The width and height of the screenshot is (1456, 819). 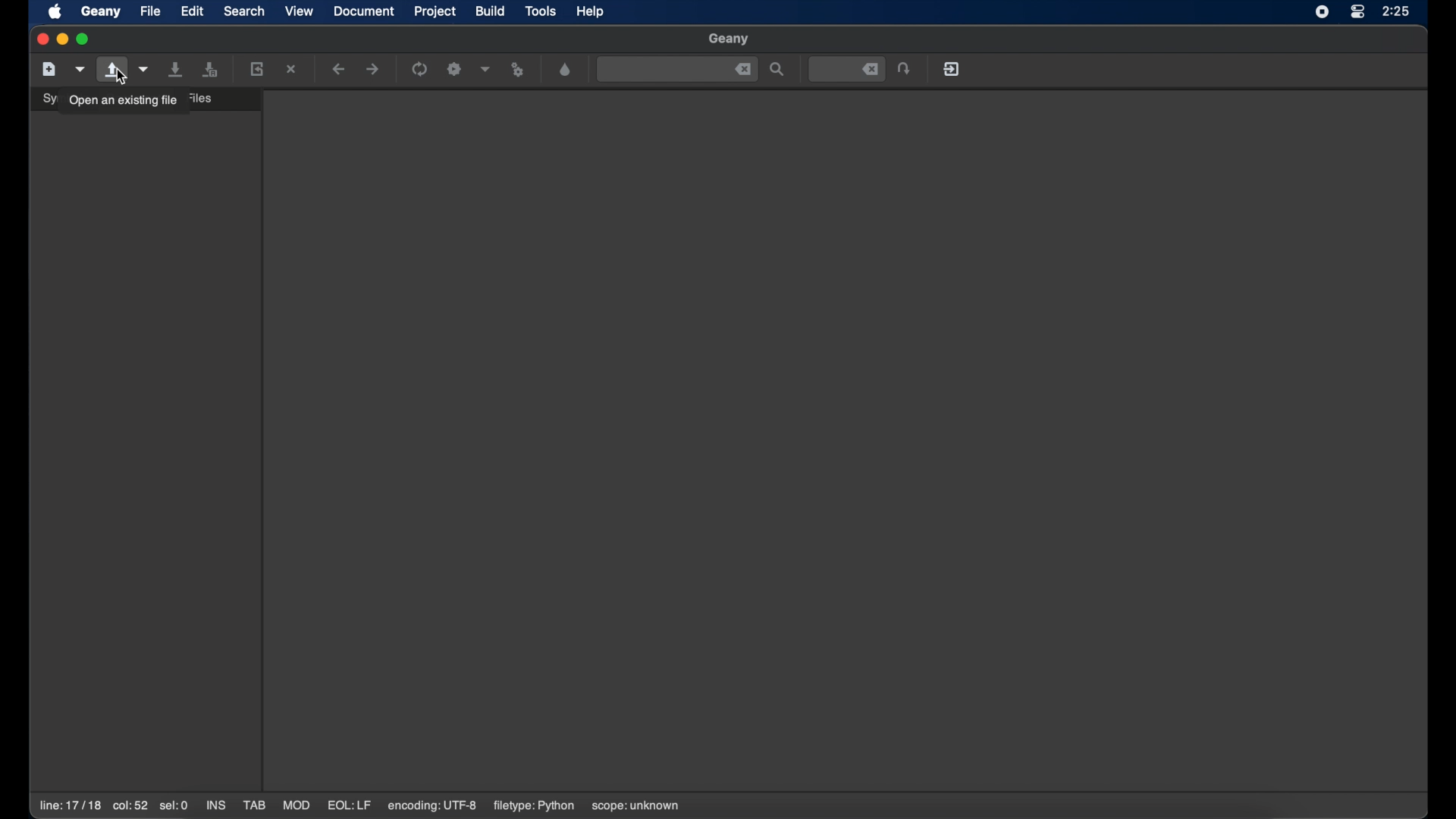 What do you see at coordinates (61, 39) in the screenshot?
I see `minimize` at bounding box center [61, 39].